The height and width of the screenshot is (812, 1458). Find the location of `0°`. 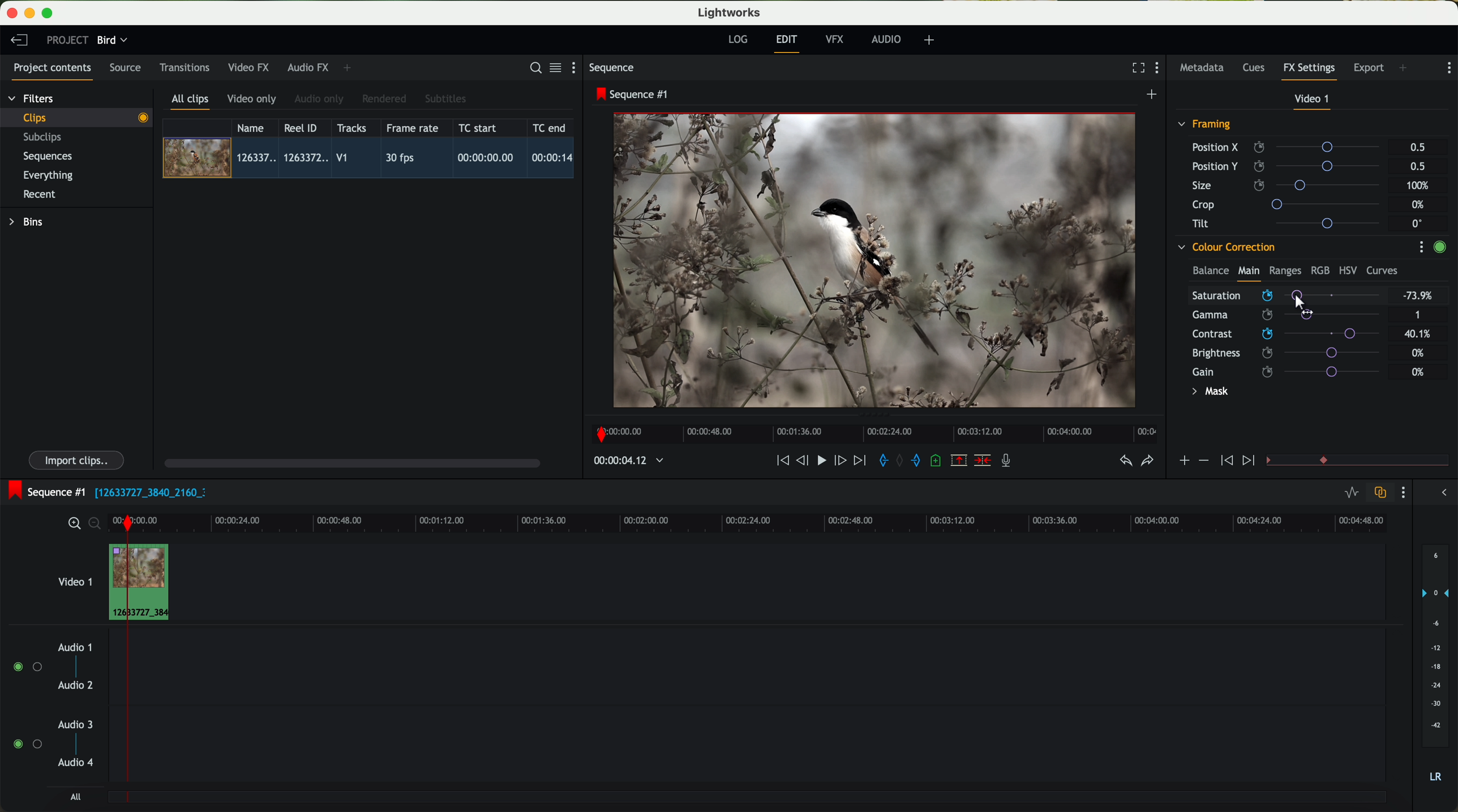

0° is located at coordinates (1418, 223).